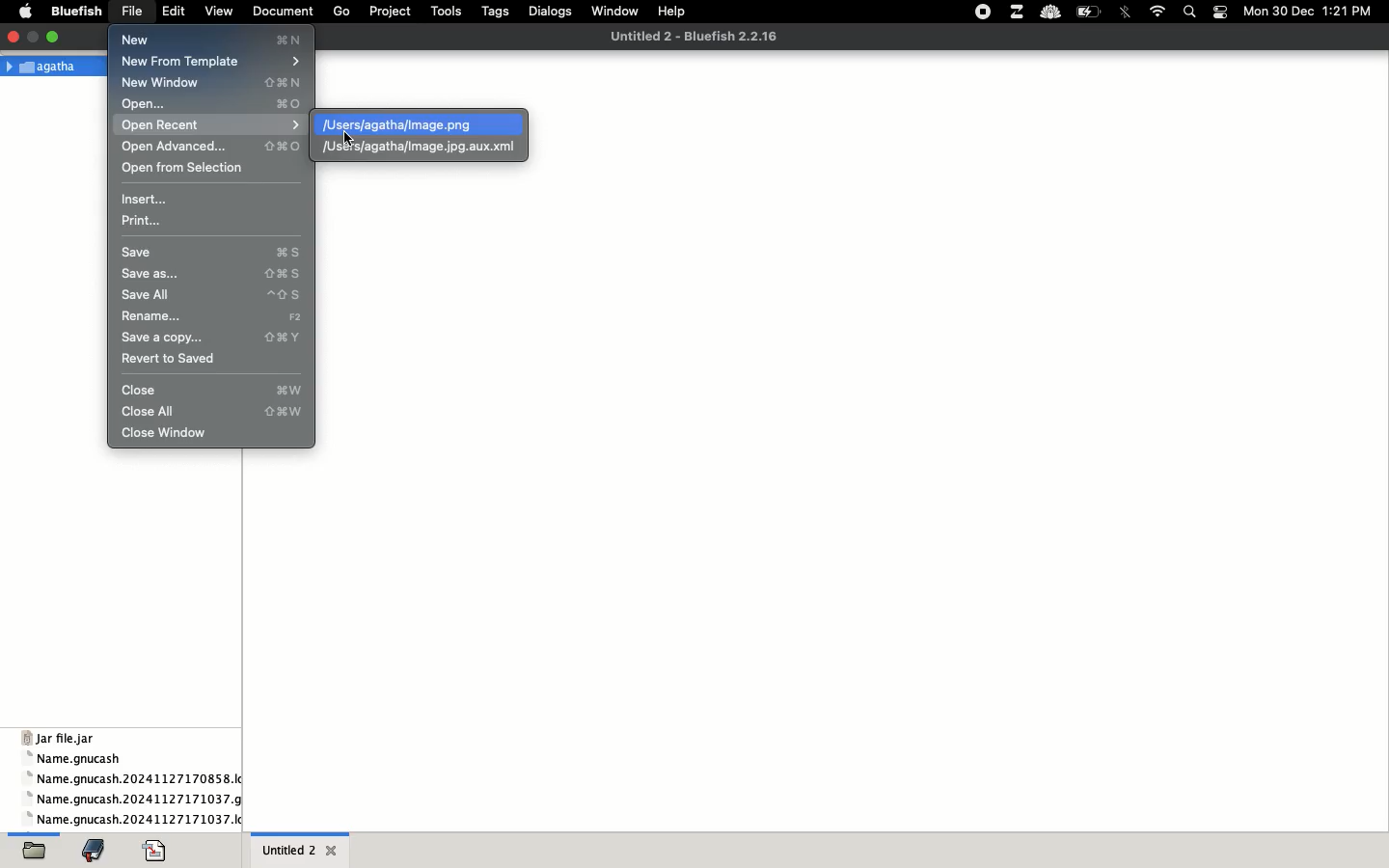 Image resolution: width=1389 pixels, height=868 pixels. What do you see at coordinates (33, 36) in the screenshot?
I see `maximize` at bounding box center [33, 36].